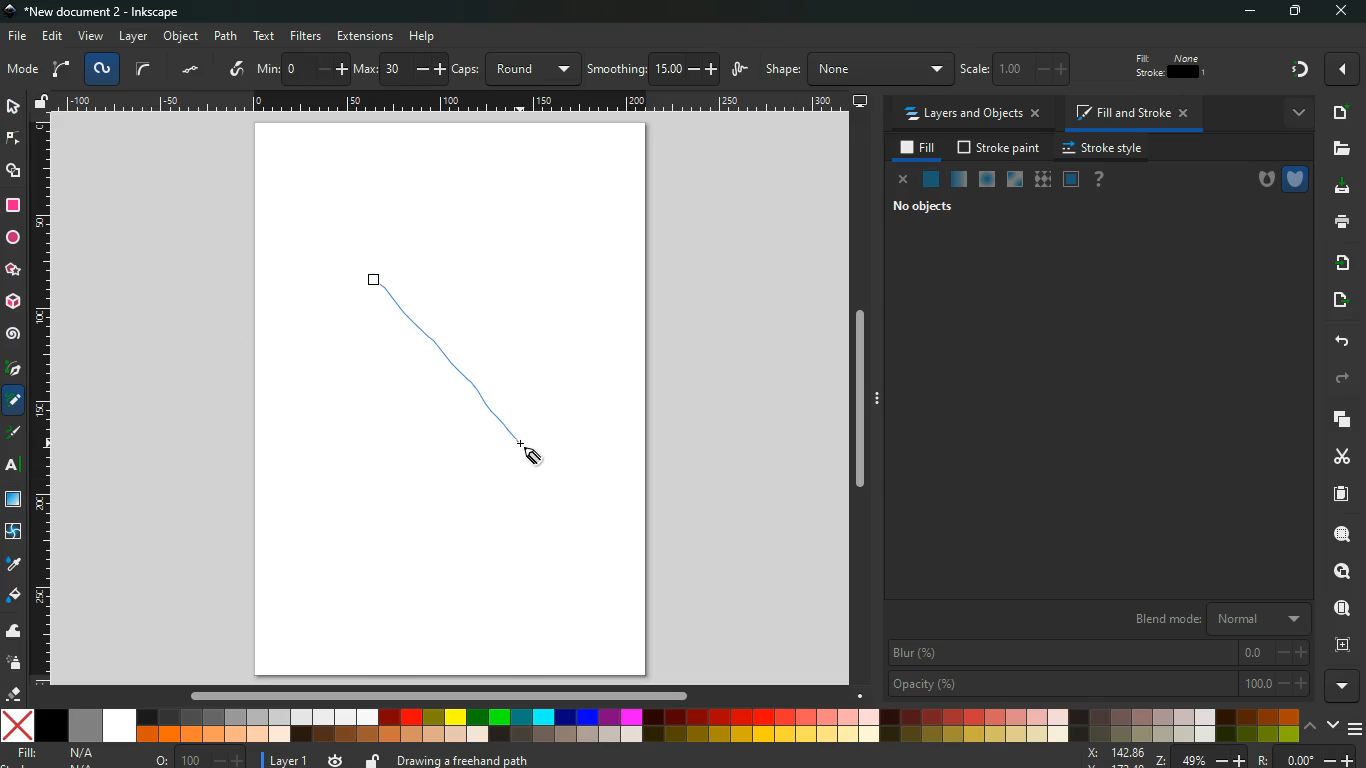  I want to click on , so click(1340, 13).